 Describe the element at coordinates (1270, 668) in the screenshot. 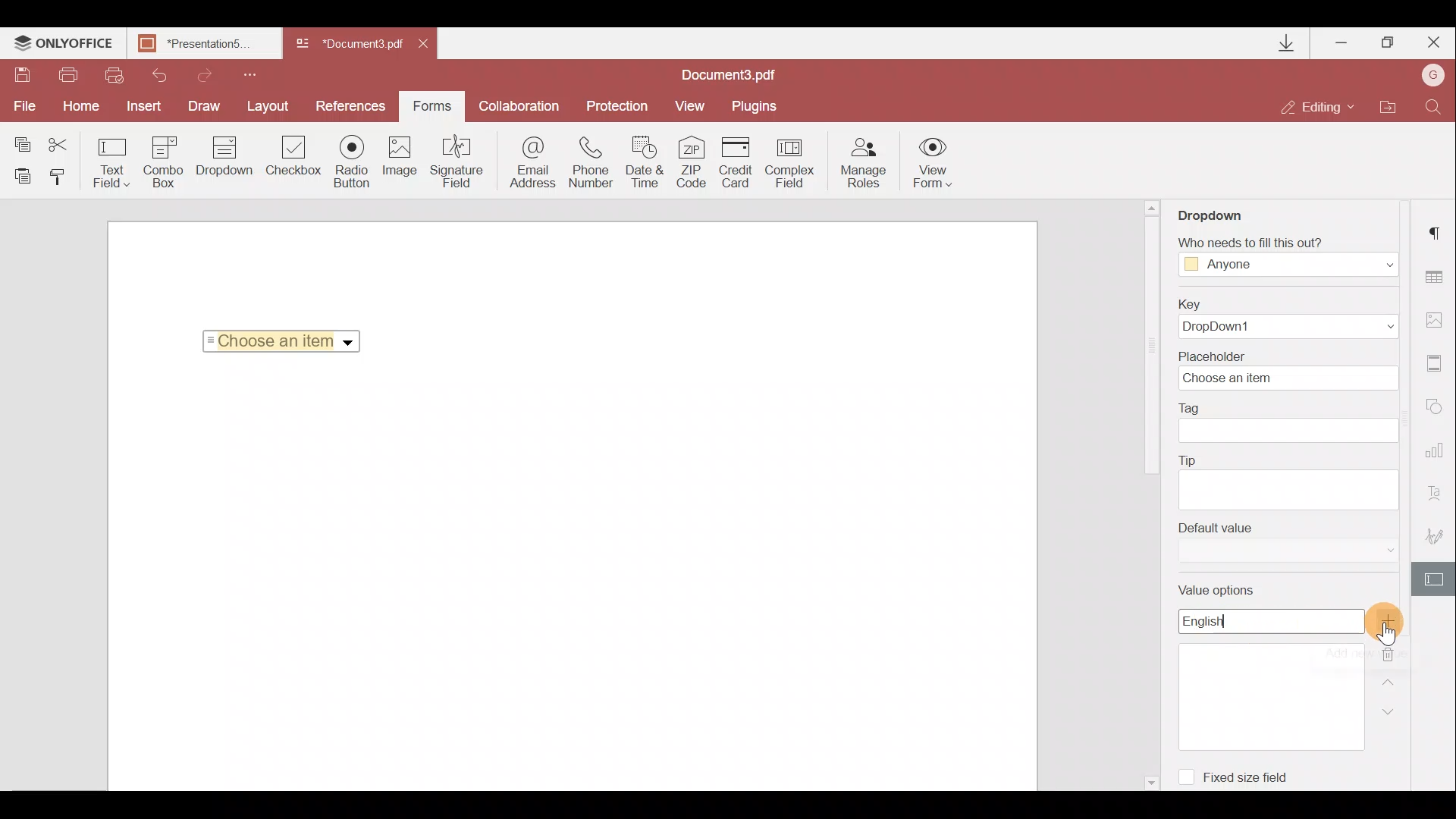

I see `Value options` at that location.